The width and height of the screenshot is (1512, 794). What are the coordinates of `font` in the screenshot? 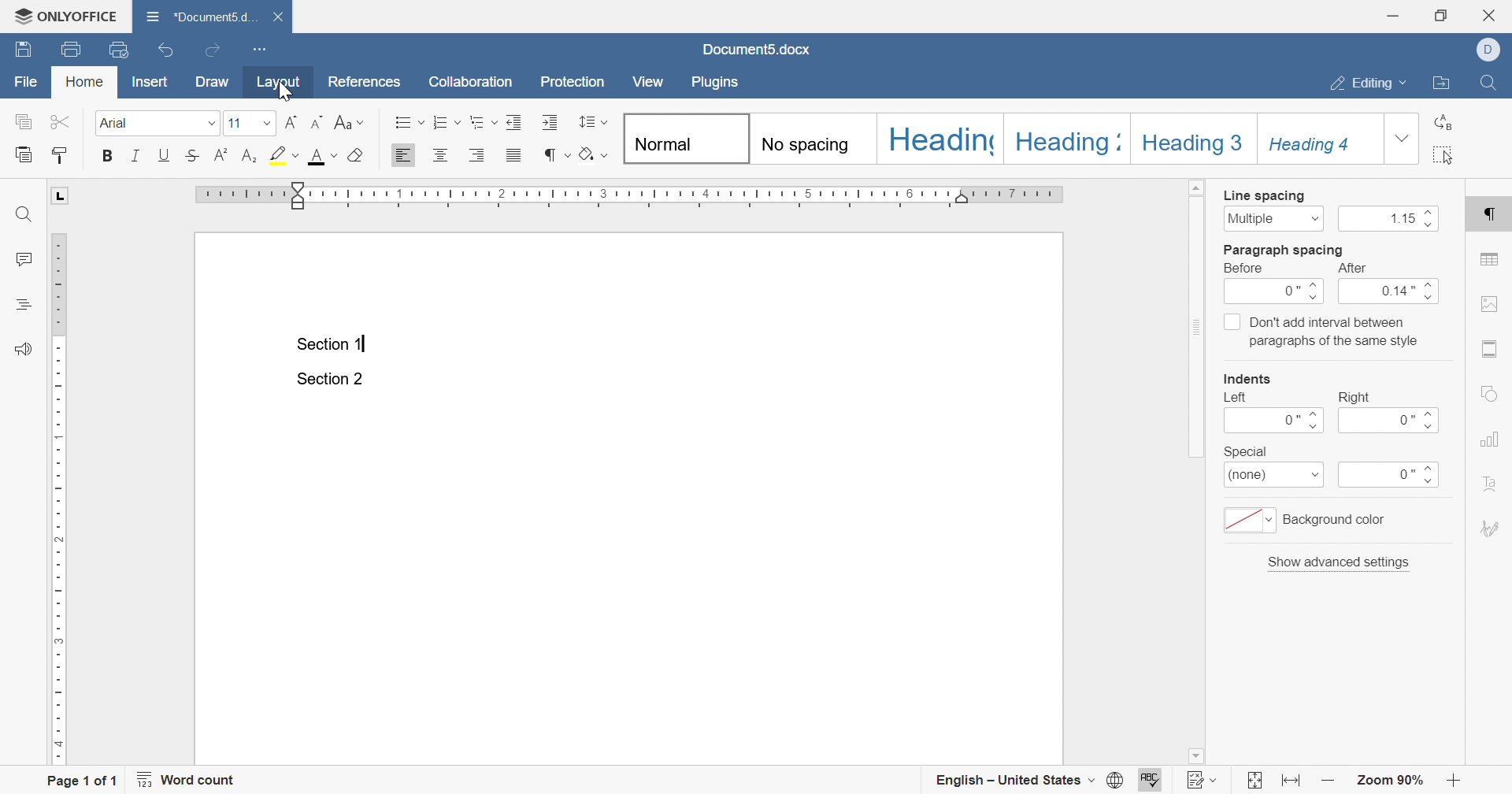 It's located at (118, 123).